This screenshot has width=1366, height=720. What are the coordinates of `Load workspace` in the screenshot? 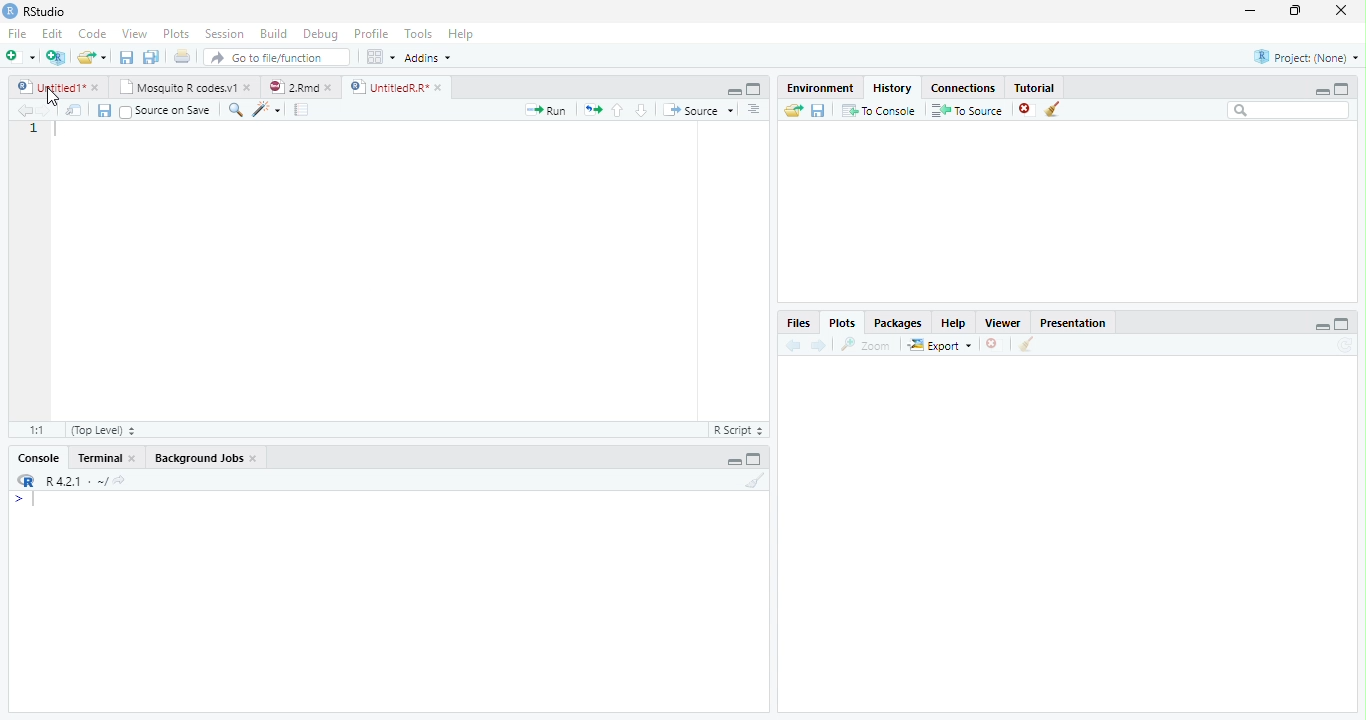 It's located at (791, 111).